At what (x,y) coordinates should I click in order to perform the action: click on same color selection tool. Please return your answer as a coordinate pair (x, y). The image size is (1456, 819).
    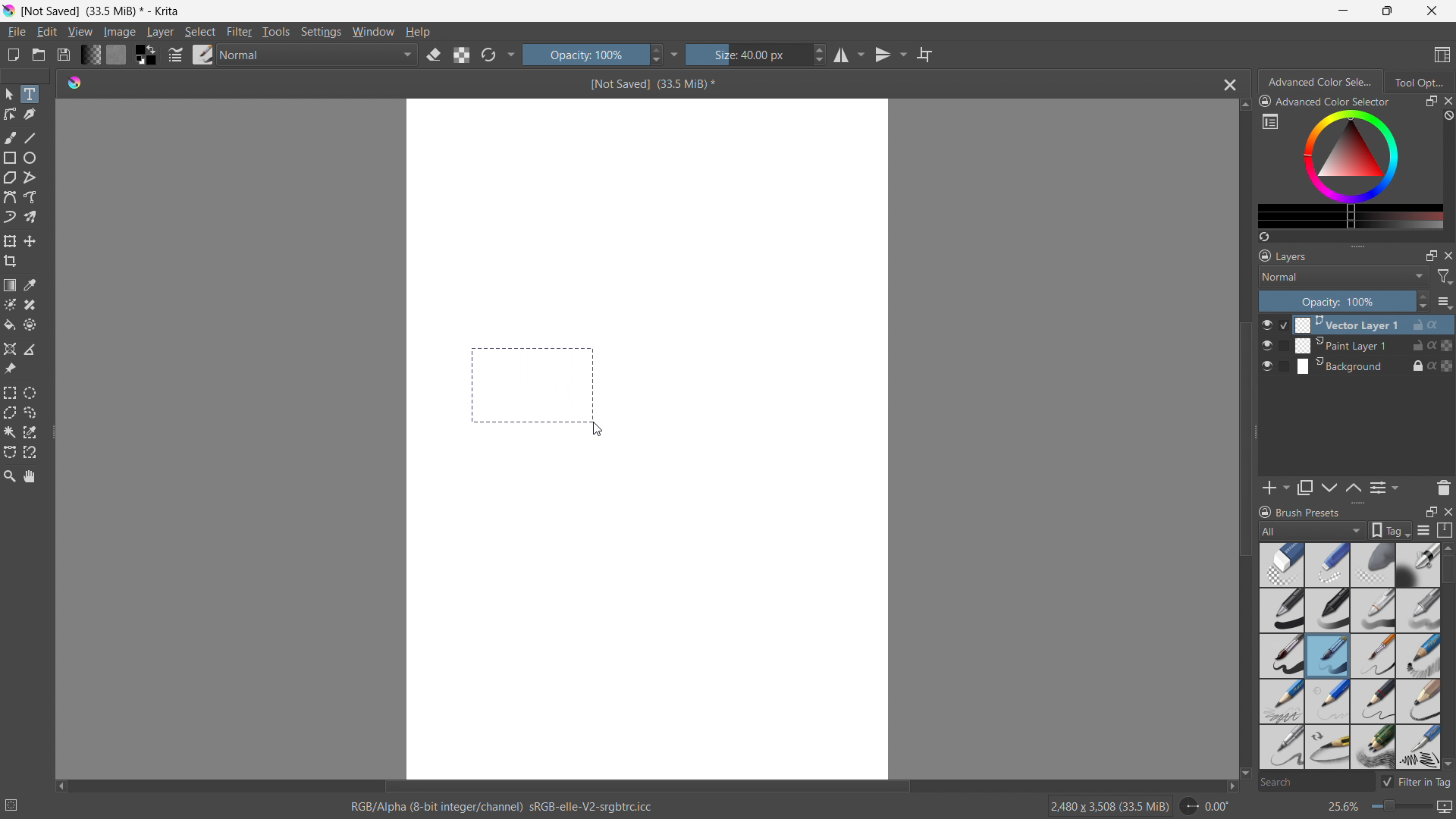
    Looking at the image, I should click on (30, 432).